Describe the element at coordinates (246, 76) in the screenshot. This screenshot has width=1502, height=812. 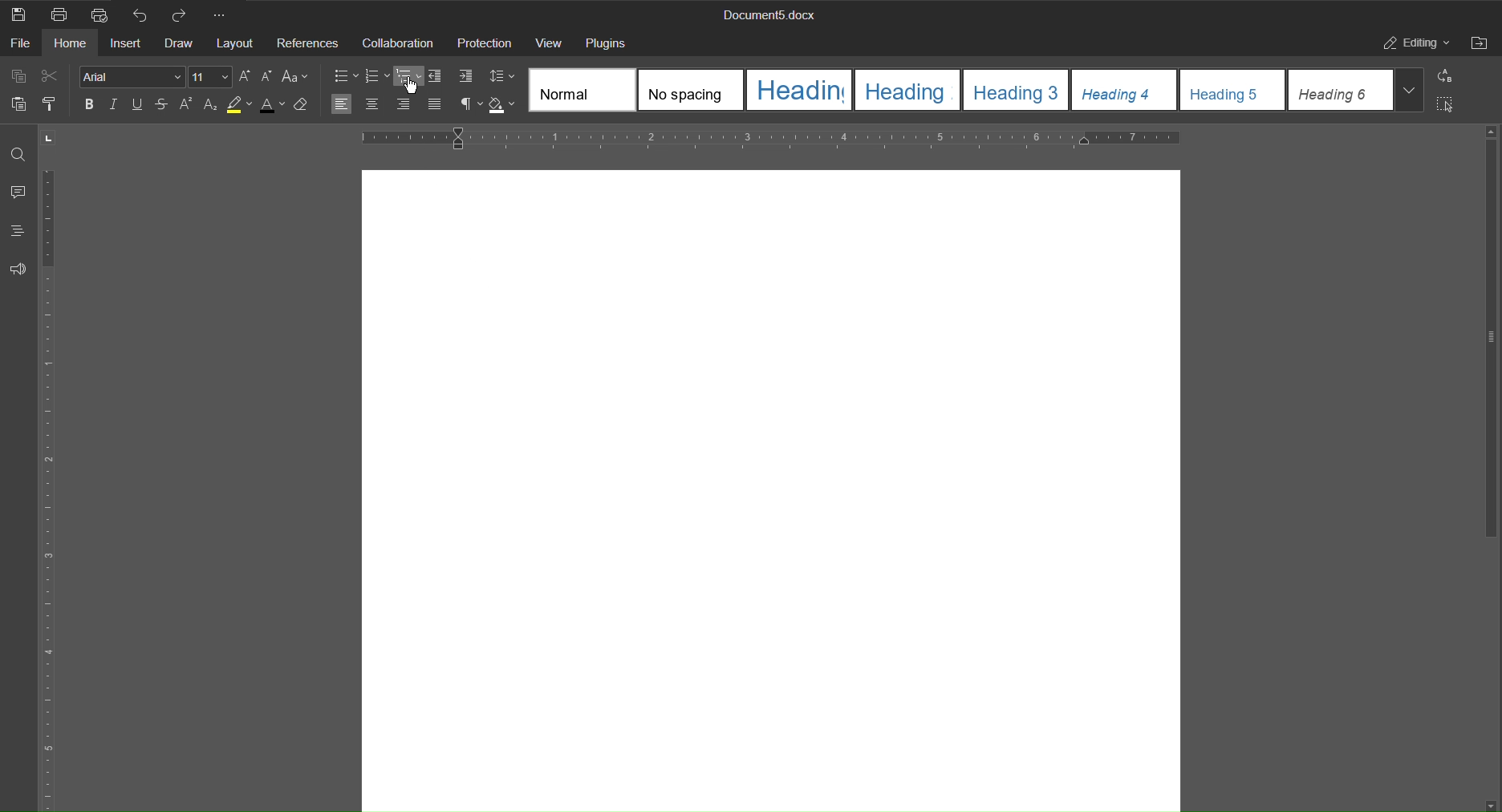
I see `Uppercase` at that location.